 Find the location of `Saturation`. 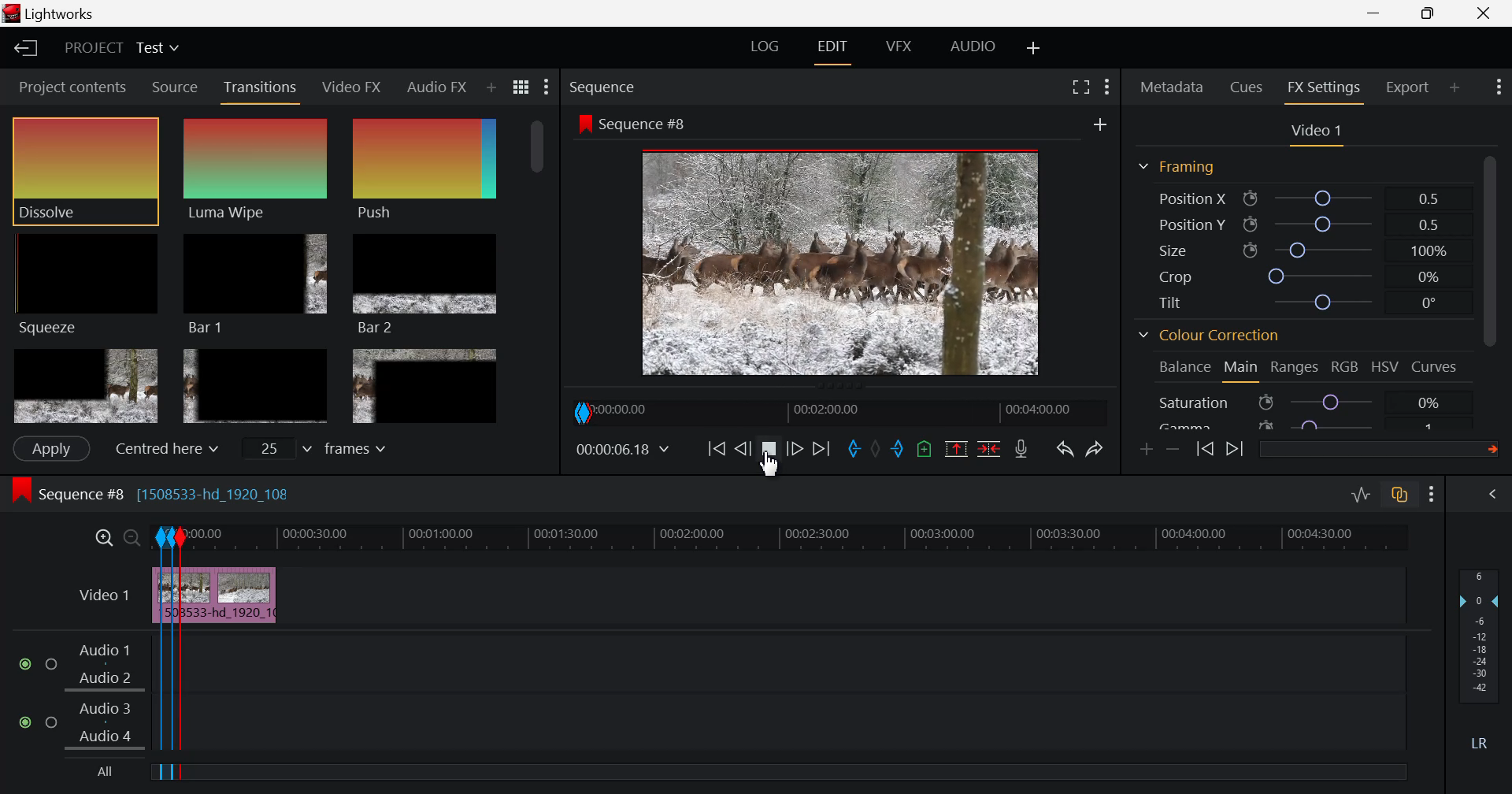

Saturation is located at coordinates (1303, 402).